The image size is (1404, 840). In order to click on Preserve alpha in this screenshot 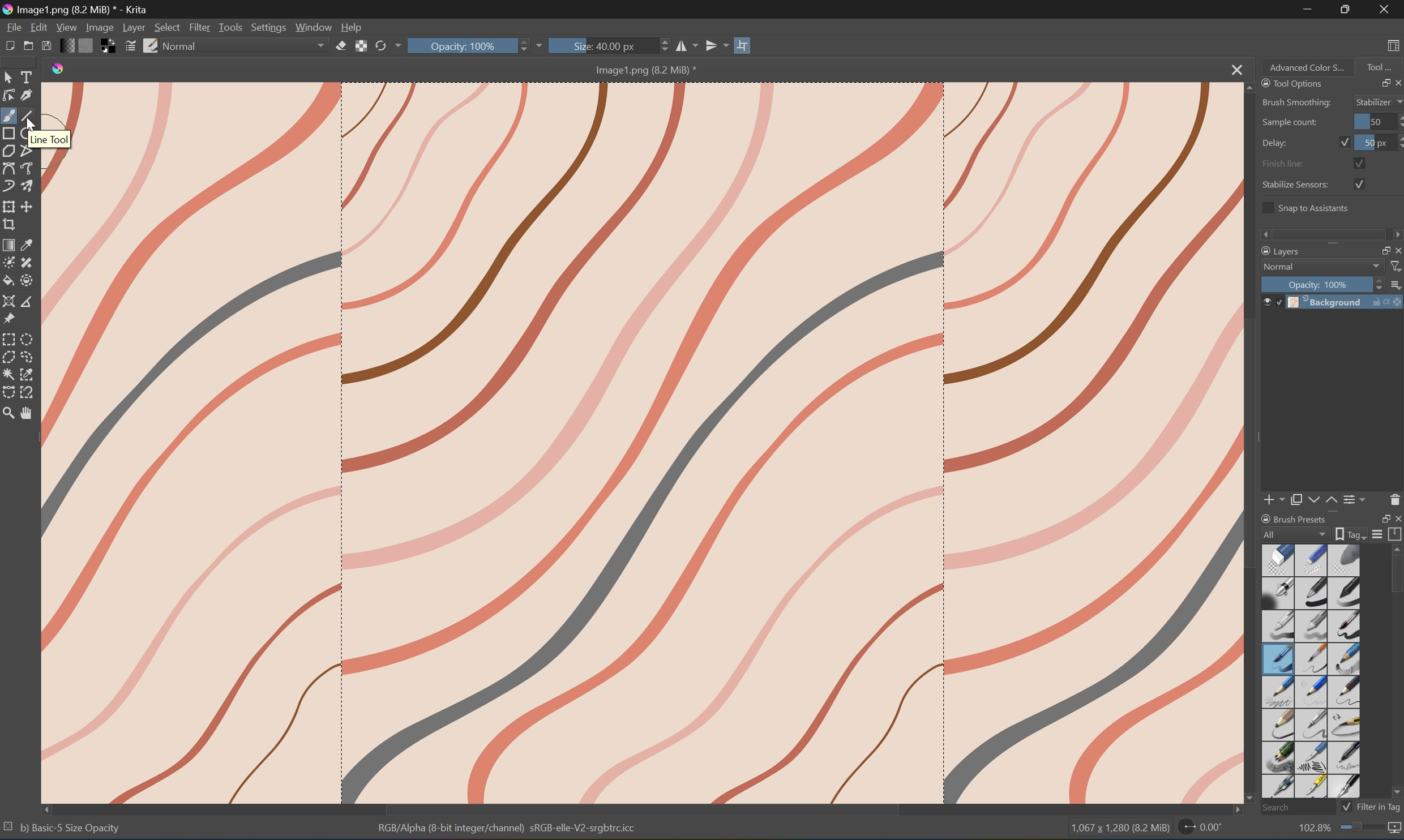, I will do `click(362, 48)`.